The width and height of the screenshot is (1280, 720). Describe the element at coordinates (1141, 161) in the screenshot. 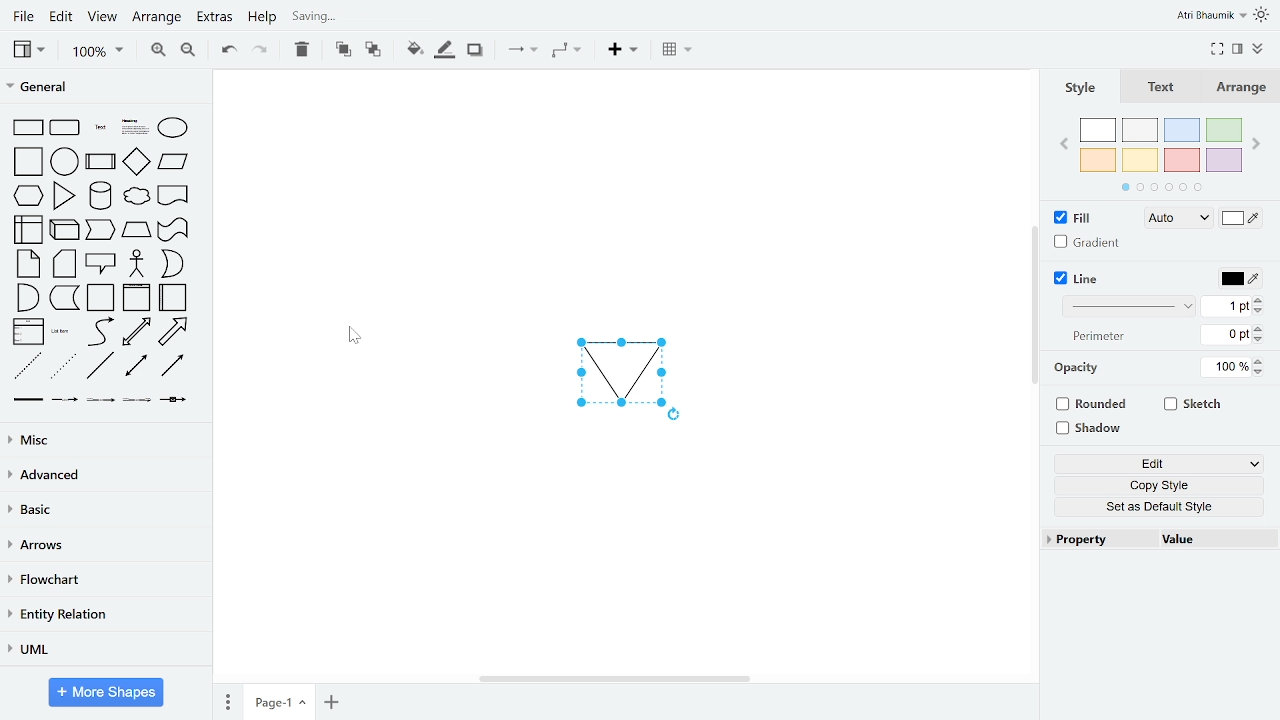

I see `yellow` at that location.